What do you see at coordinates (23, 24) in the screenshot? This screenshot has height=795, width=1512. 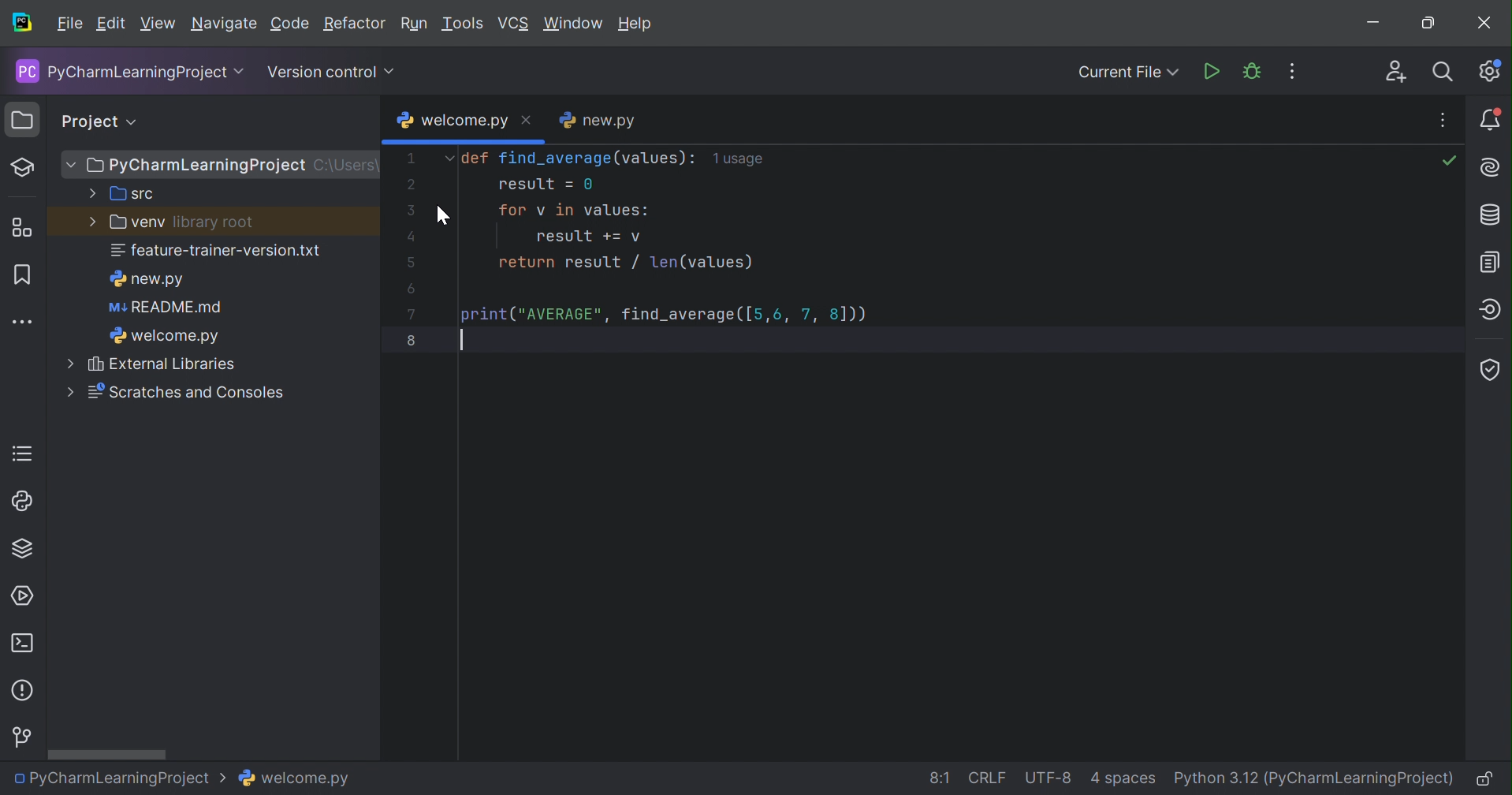 I see `PyCharm icon` at bounding box center [23, 24].